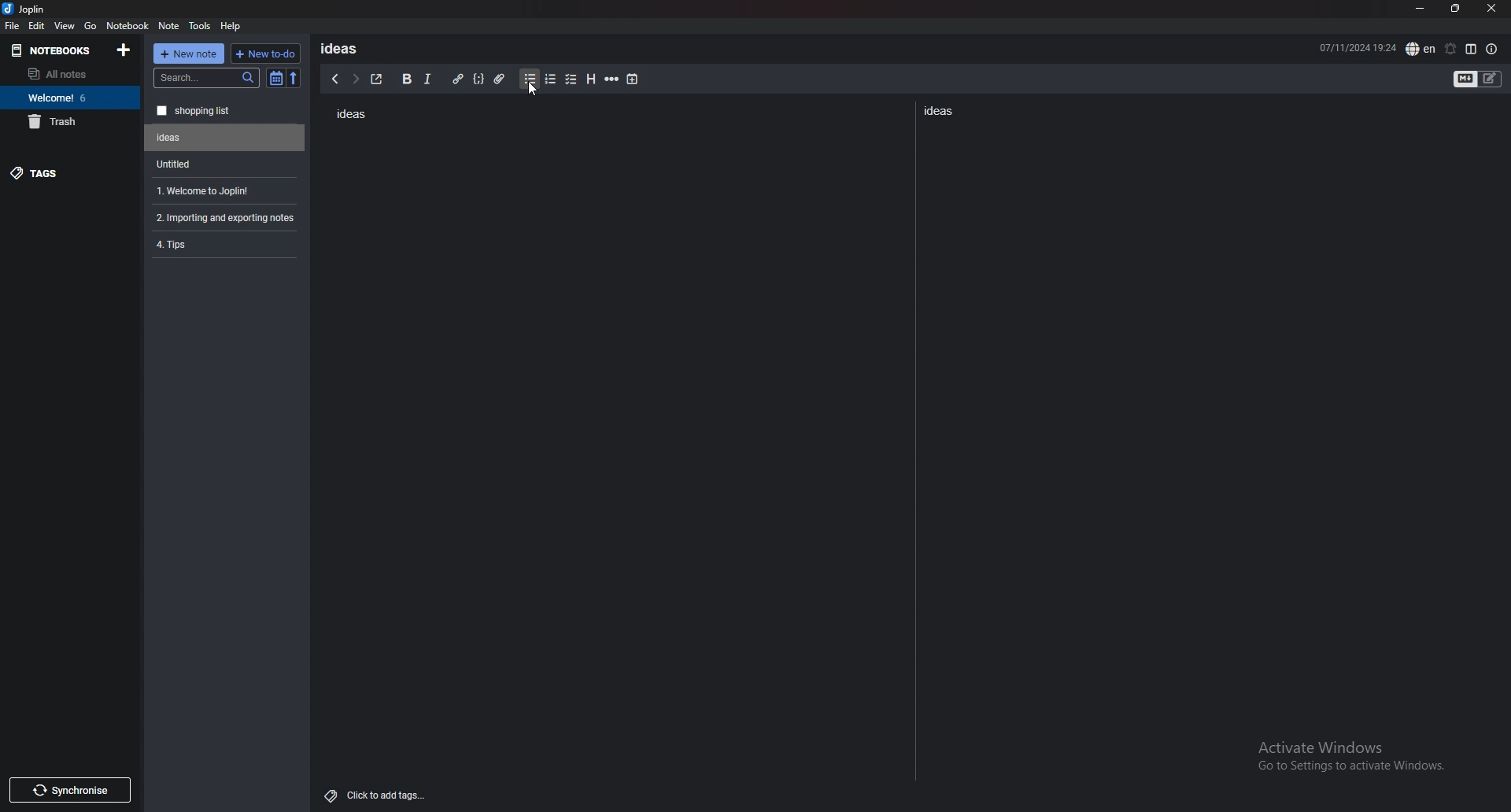  Describe the element at coordinates (611, 79) in the screenshot. I see `horizontal rule` at that location.